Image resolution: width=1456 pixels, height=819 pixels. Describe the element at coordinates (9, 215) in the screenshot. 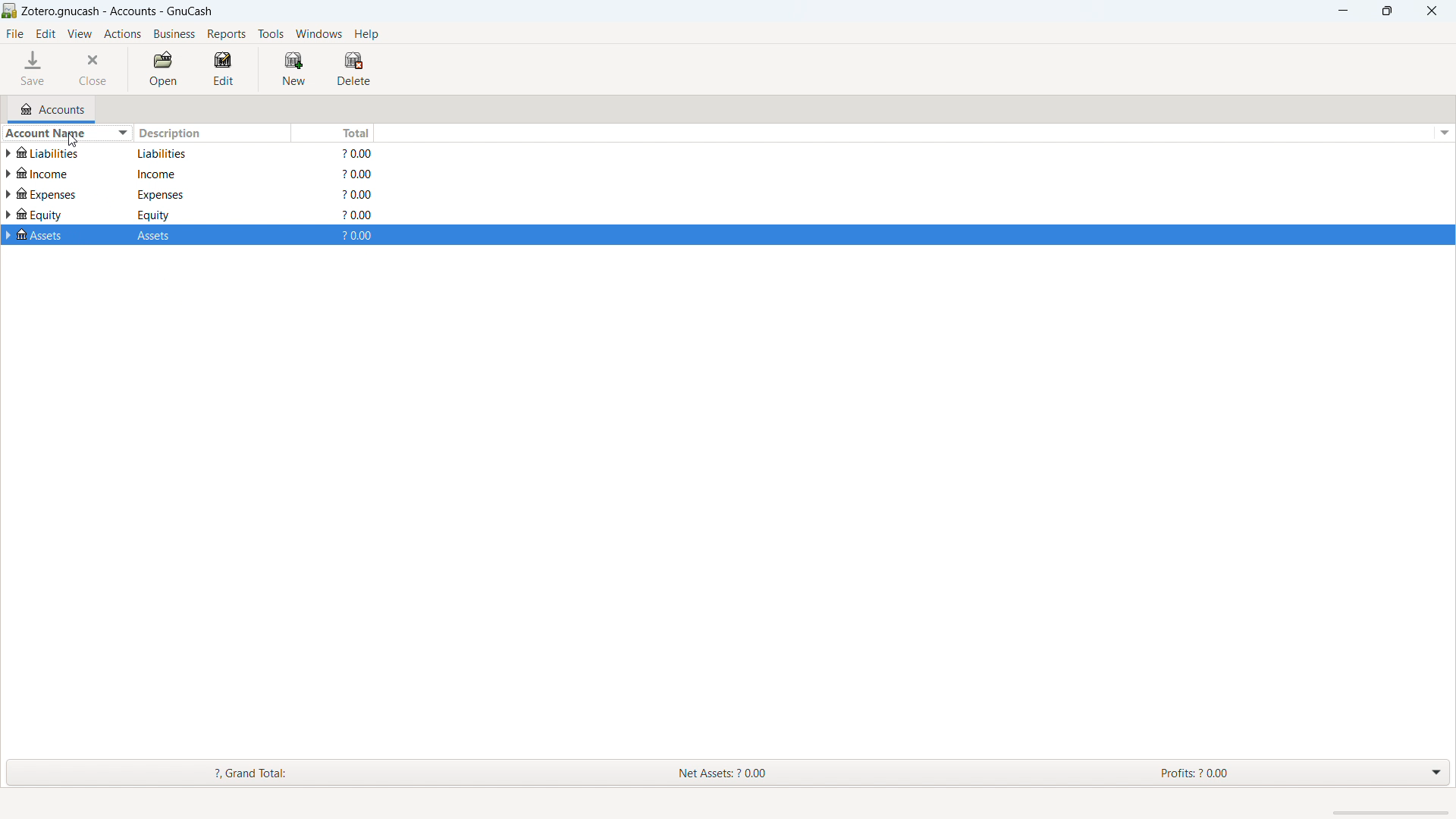

I see `expand subaccounts` at that location.